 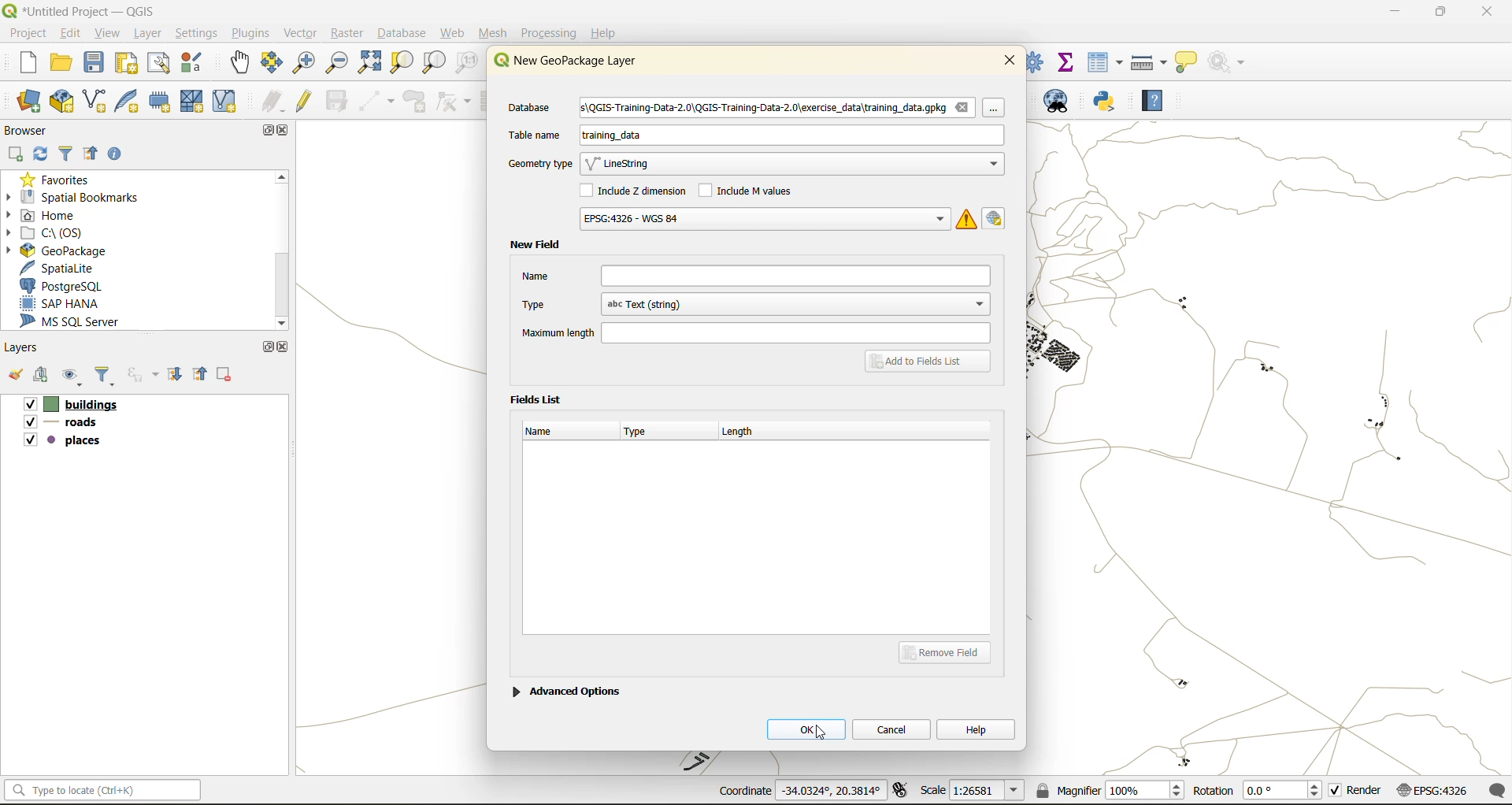 I want to click on database, so click(x=406, y=35).